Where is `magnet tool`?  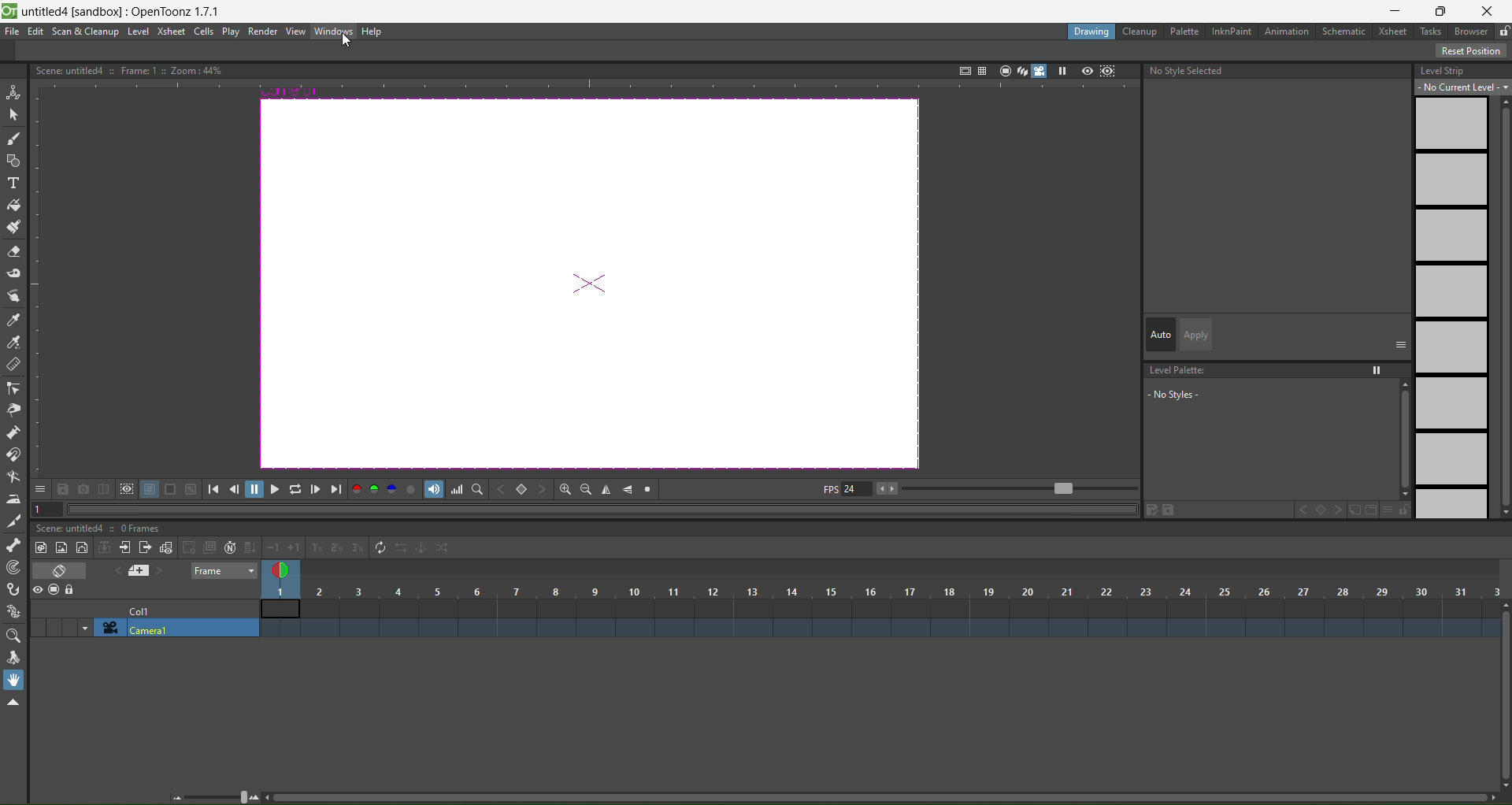 magnet tool is located at coordinates (13, 454).